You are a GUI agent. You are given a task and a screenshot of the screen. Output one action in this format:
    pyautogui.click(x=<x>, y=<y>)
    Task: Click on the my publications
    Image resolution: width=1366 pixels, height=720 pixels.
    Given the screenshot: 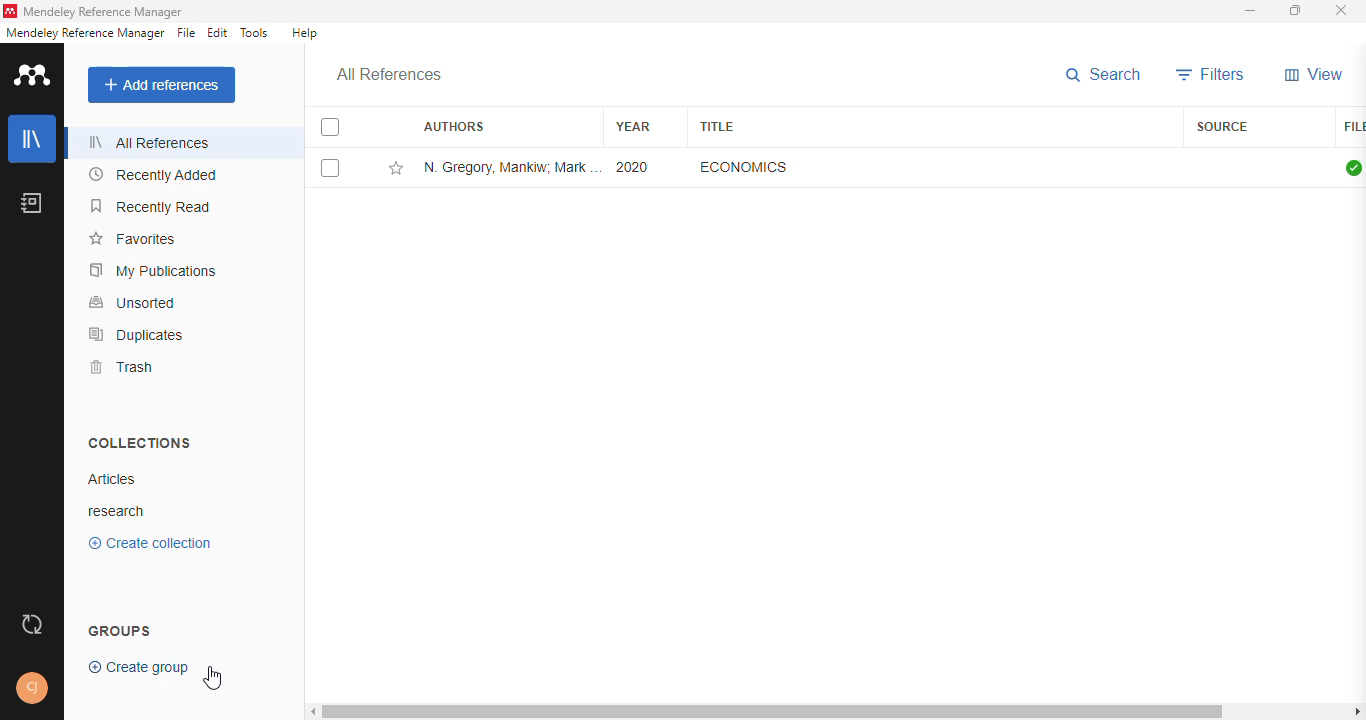 What is the action you would take?
    pyautogui.click(x=155, y=271)
    